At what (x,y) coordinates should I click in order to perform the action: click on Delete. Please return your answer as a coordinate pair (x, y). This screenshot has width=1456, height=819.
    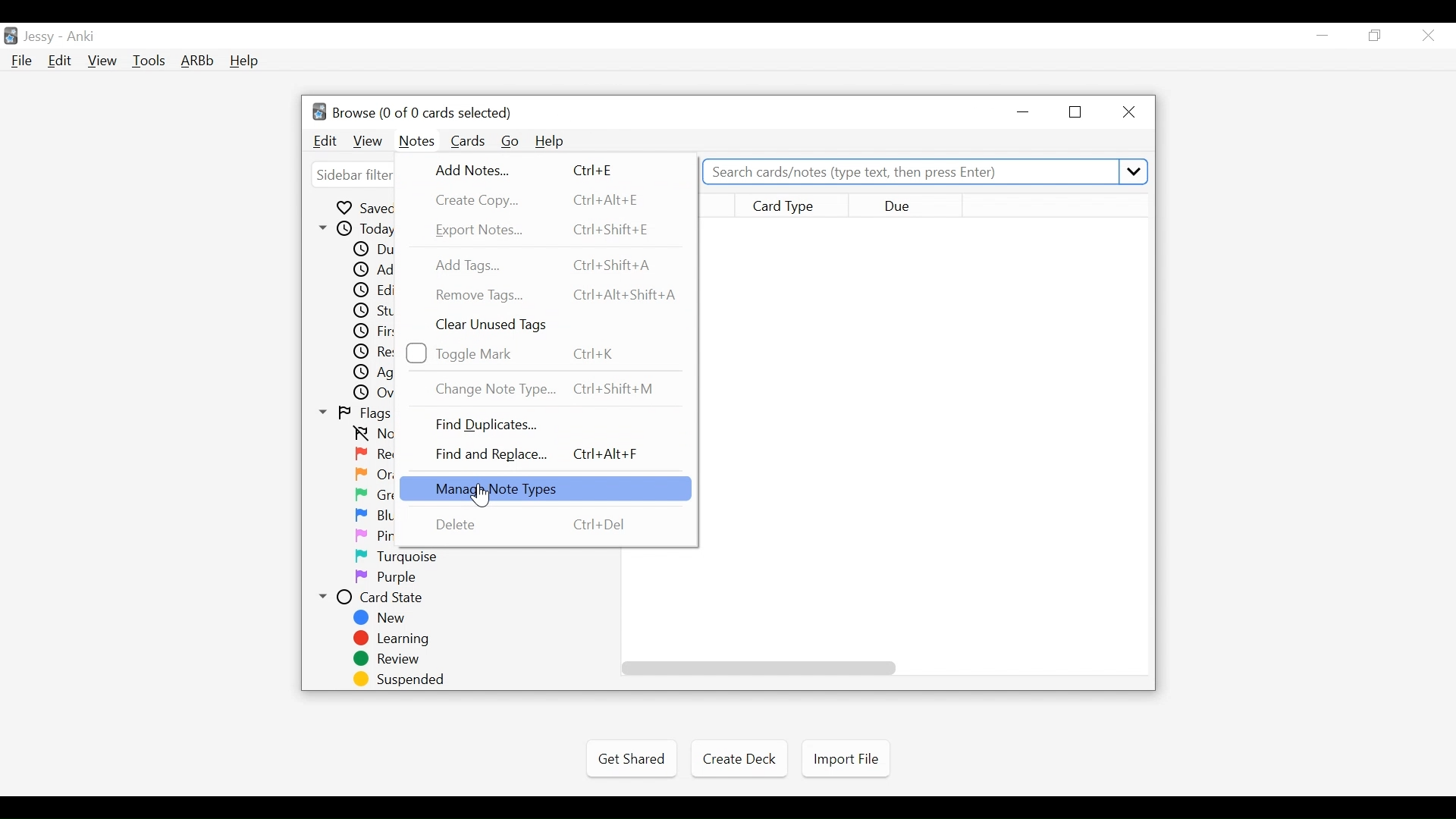
    Looking at the image, I should click on (531, 526).